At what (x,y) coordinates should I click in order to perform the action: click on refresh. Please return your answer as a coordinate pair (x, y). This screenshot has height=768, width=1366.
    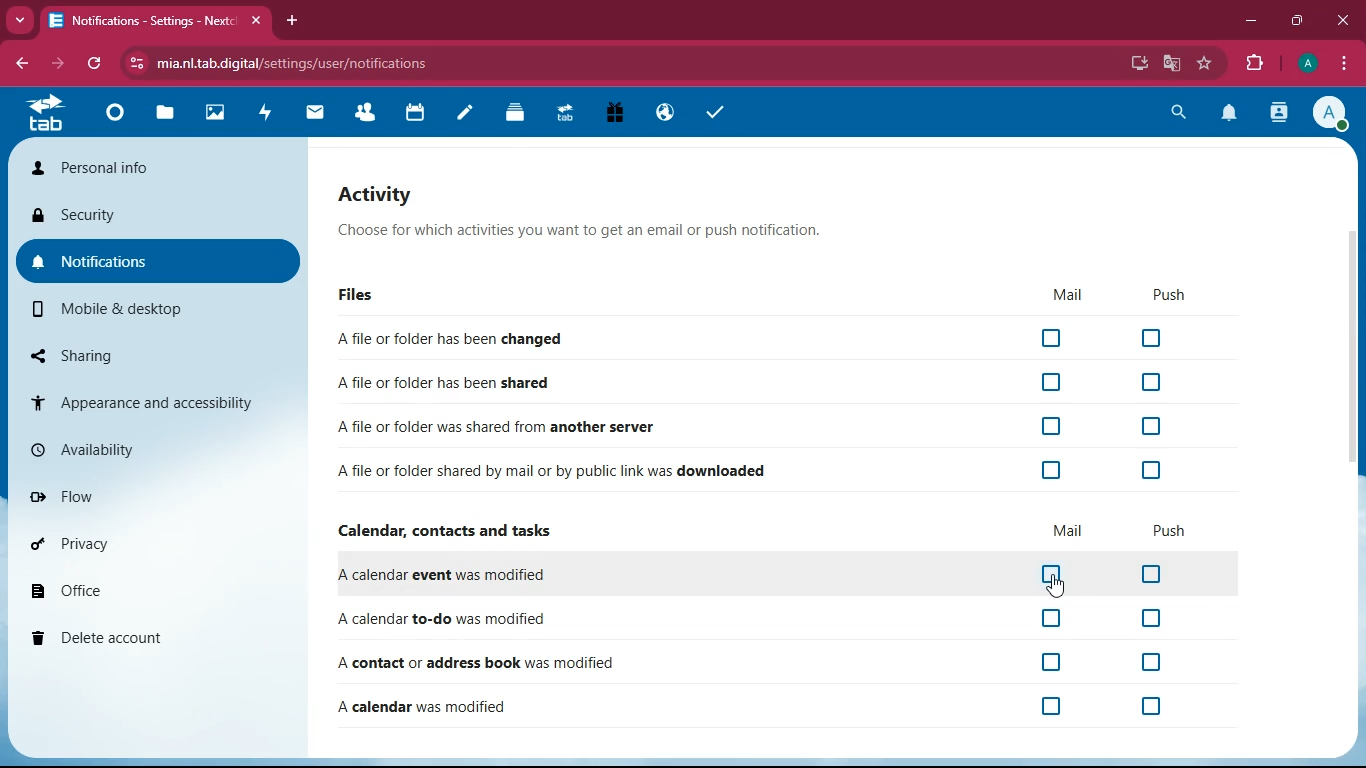
    Looking at the image, I should click on (96, 62).